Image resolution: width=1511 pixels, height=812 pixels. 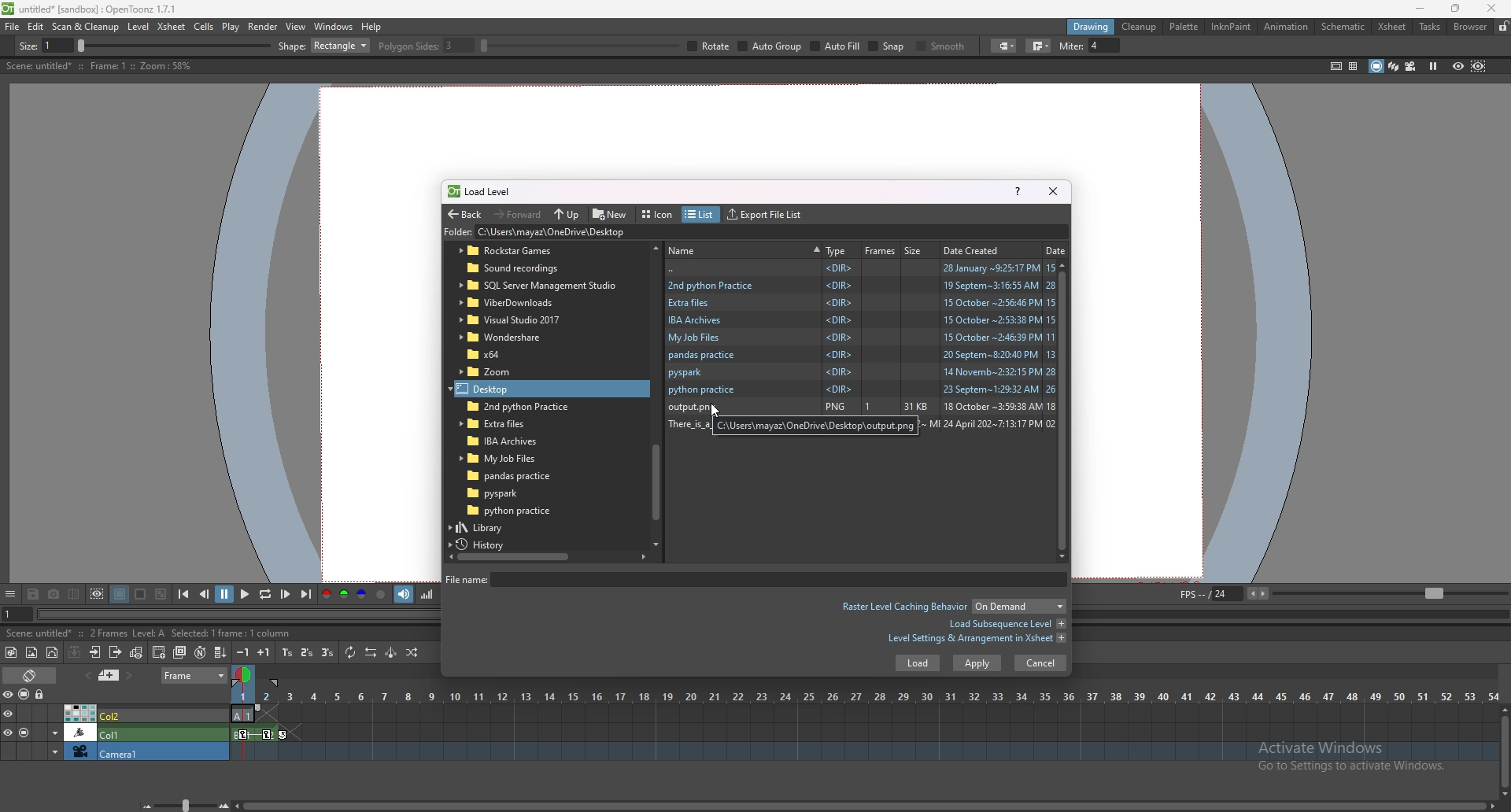 What do you see at coordinates (861, 302) in the screenshot?
I see `folder` at bounding box center [861, 302].